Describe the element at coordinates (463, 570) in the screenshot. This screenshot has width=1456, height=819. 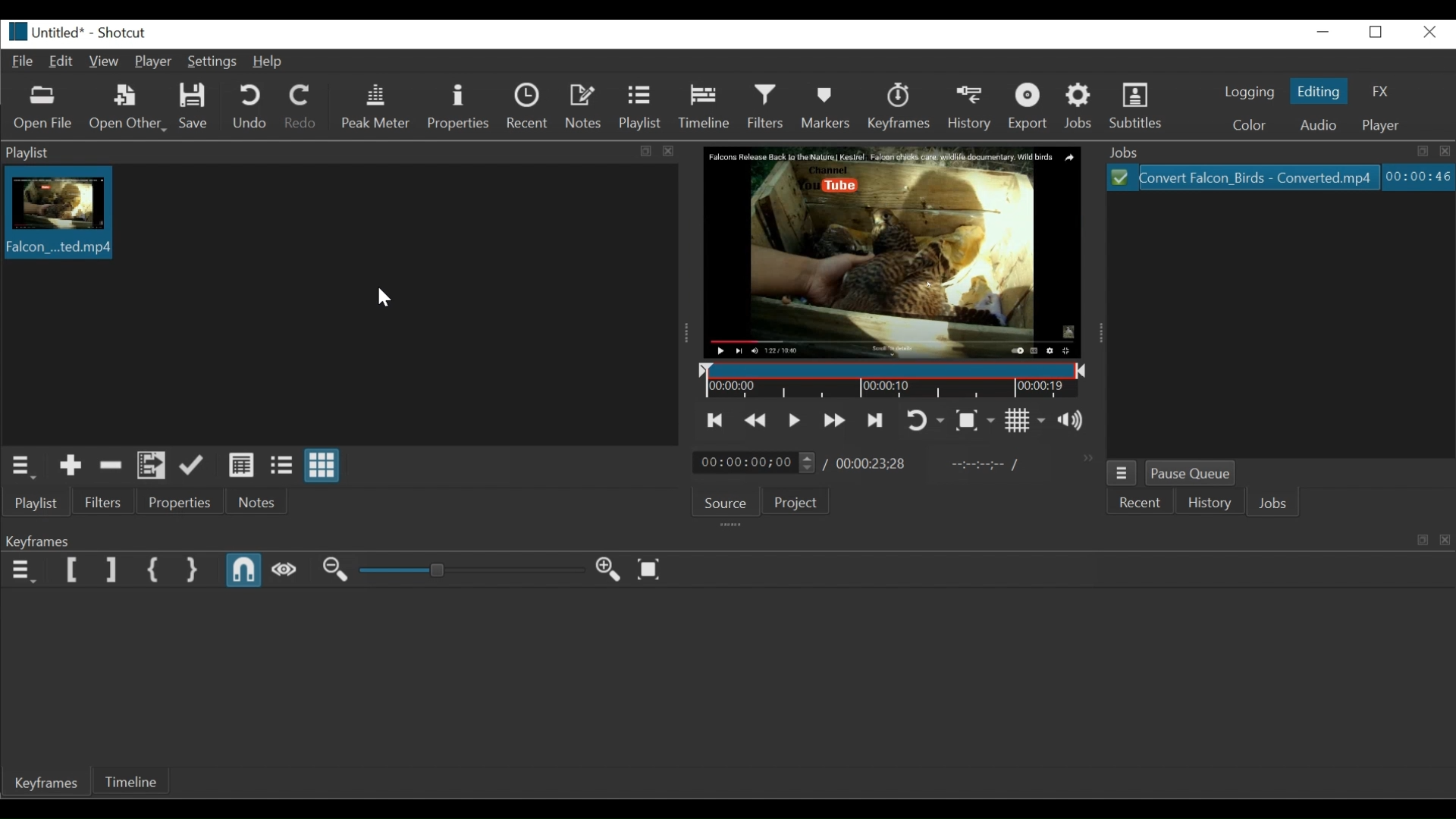
I see `Adjust Zoom Keyframe` at that location.